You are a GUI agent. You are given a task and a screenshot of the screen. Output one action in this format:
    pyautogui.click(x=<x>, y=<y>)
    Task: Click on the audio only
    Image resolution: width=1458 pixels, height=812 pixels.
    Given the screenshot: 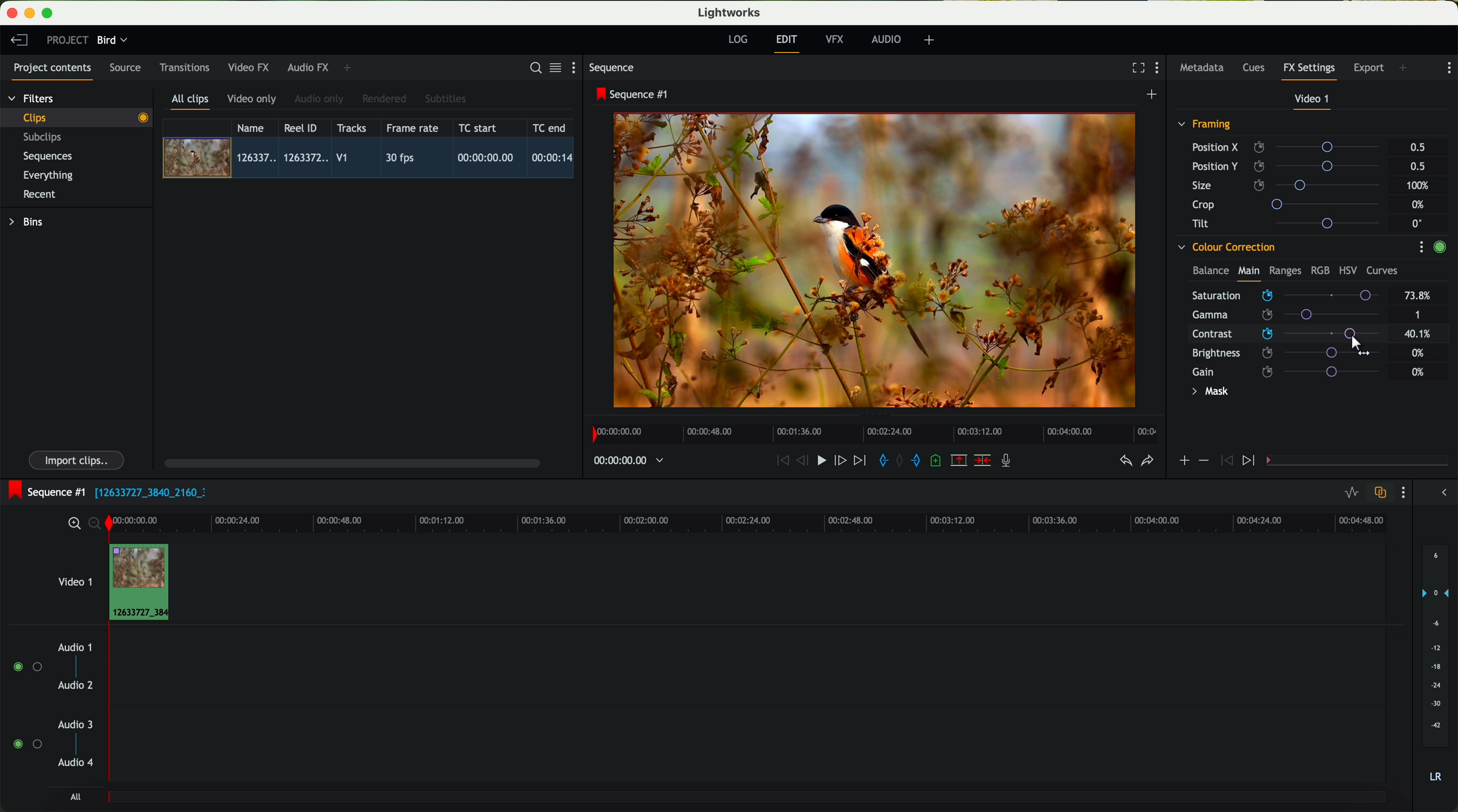 What is the action you would take?
    pyautogui.click(x=320, y=99)
    